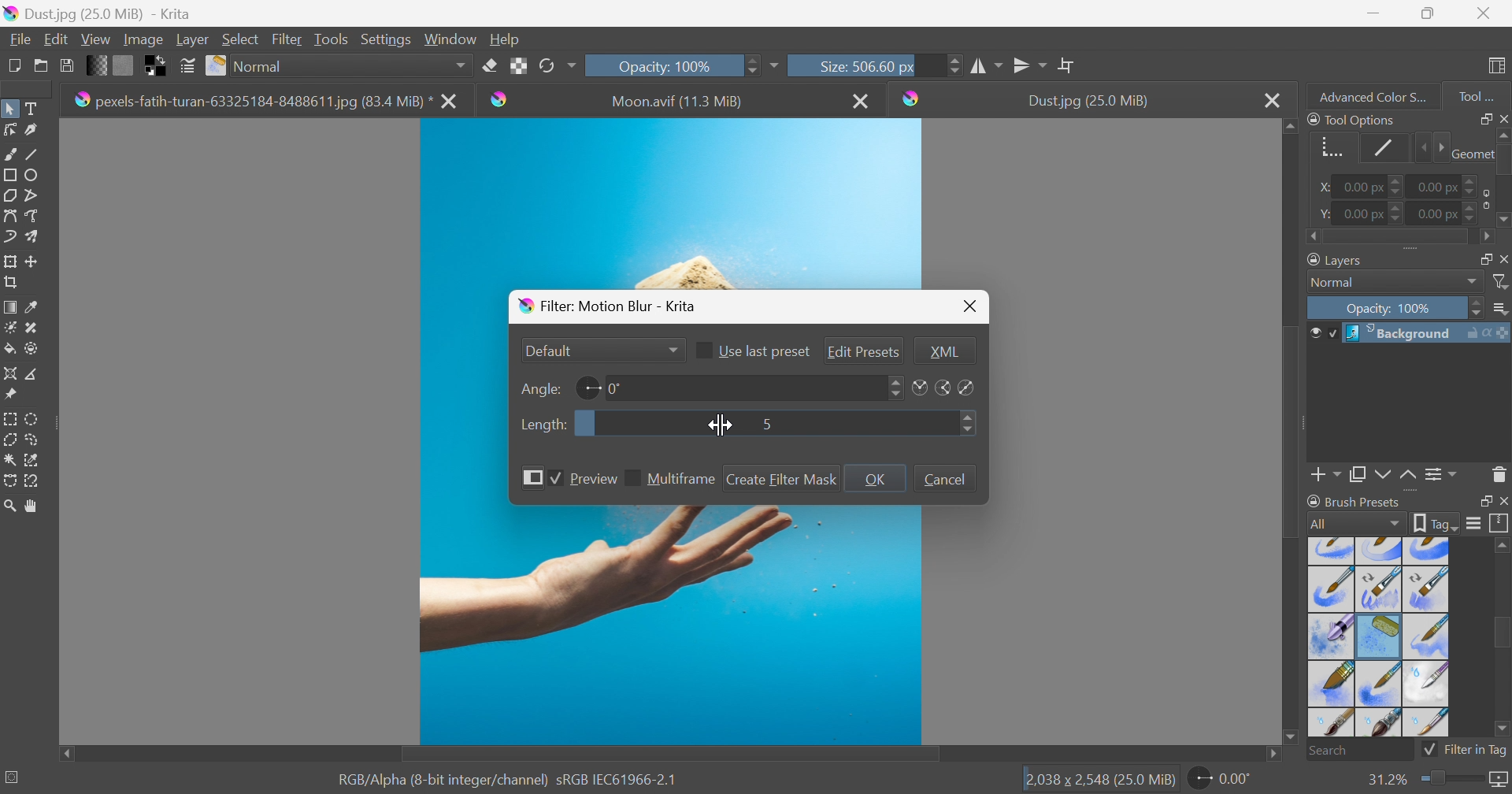 The image size is (1512, 794). What do you see at coordinates (19, 38) in the screenshot?
I see `File` at bounding box center [19, 38].